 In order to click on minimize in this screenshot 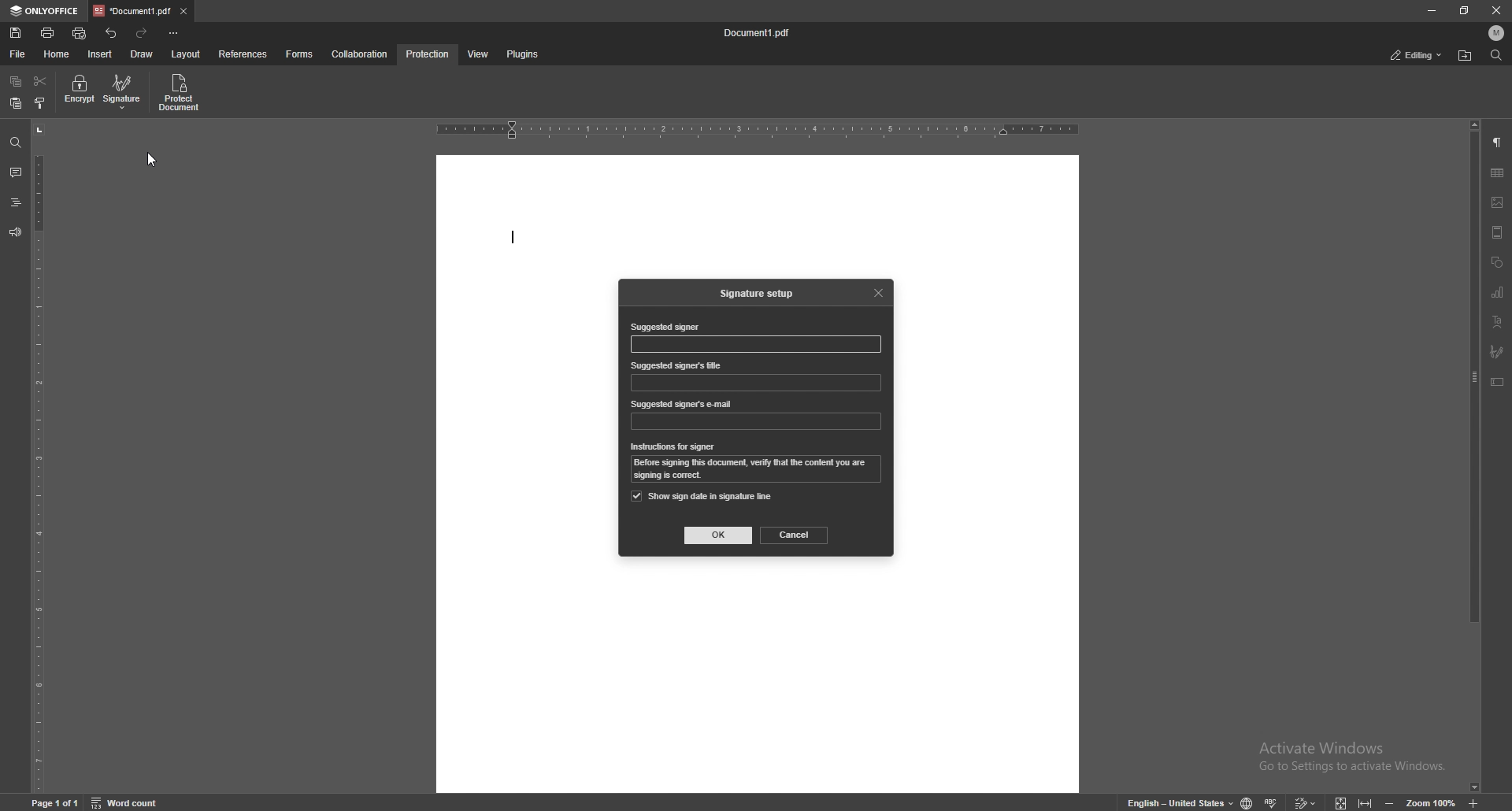, I will do `click(1431, 9)`.